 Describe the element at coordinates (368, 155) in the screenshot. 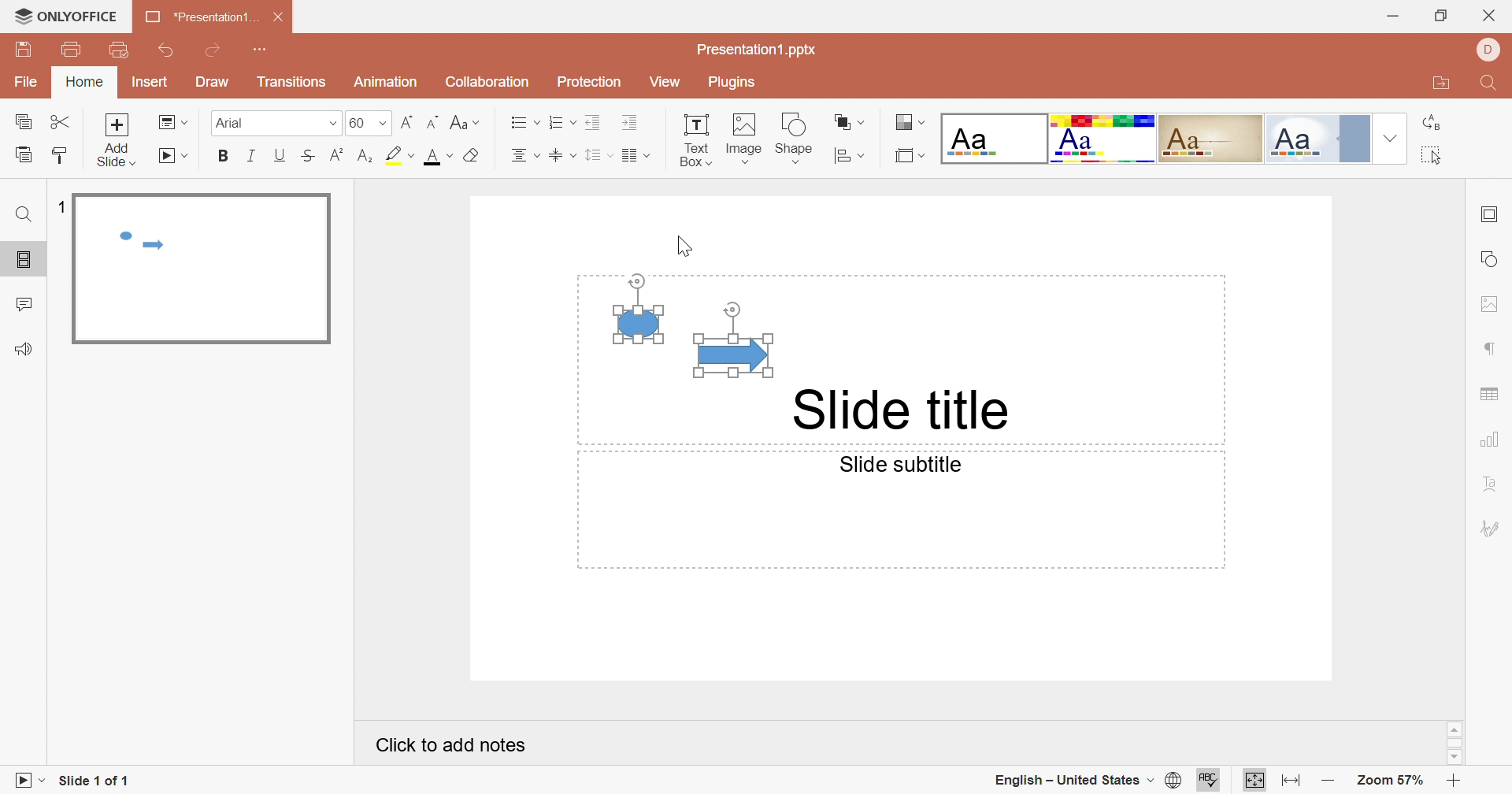

I see `Subscript` at that location.